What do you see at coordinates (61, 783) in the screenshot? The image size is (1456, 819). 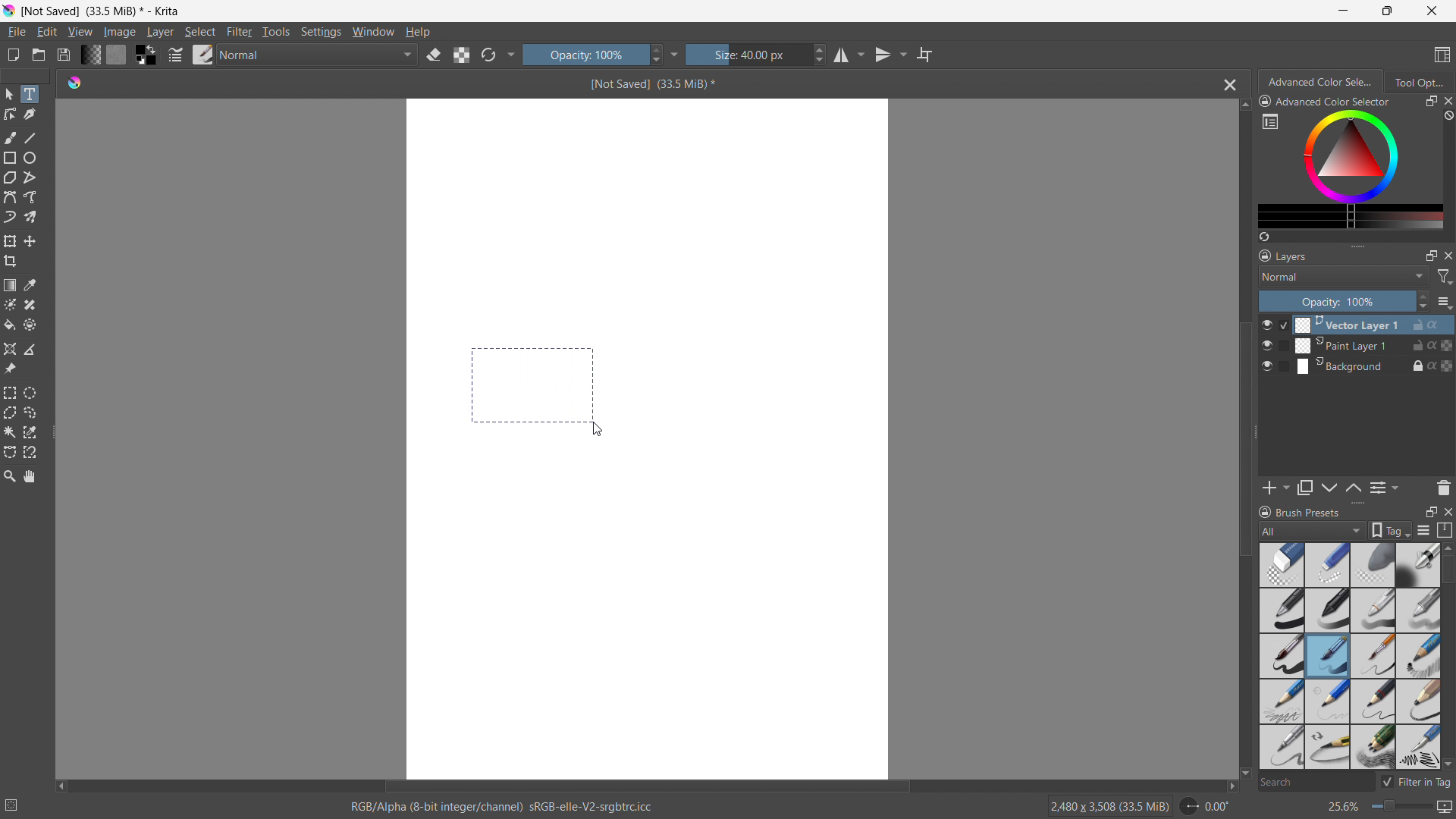 I see `scroll left` at bounding box center [61, 783].